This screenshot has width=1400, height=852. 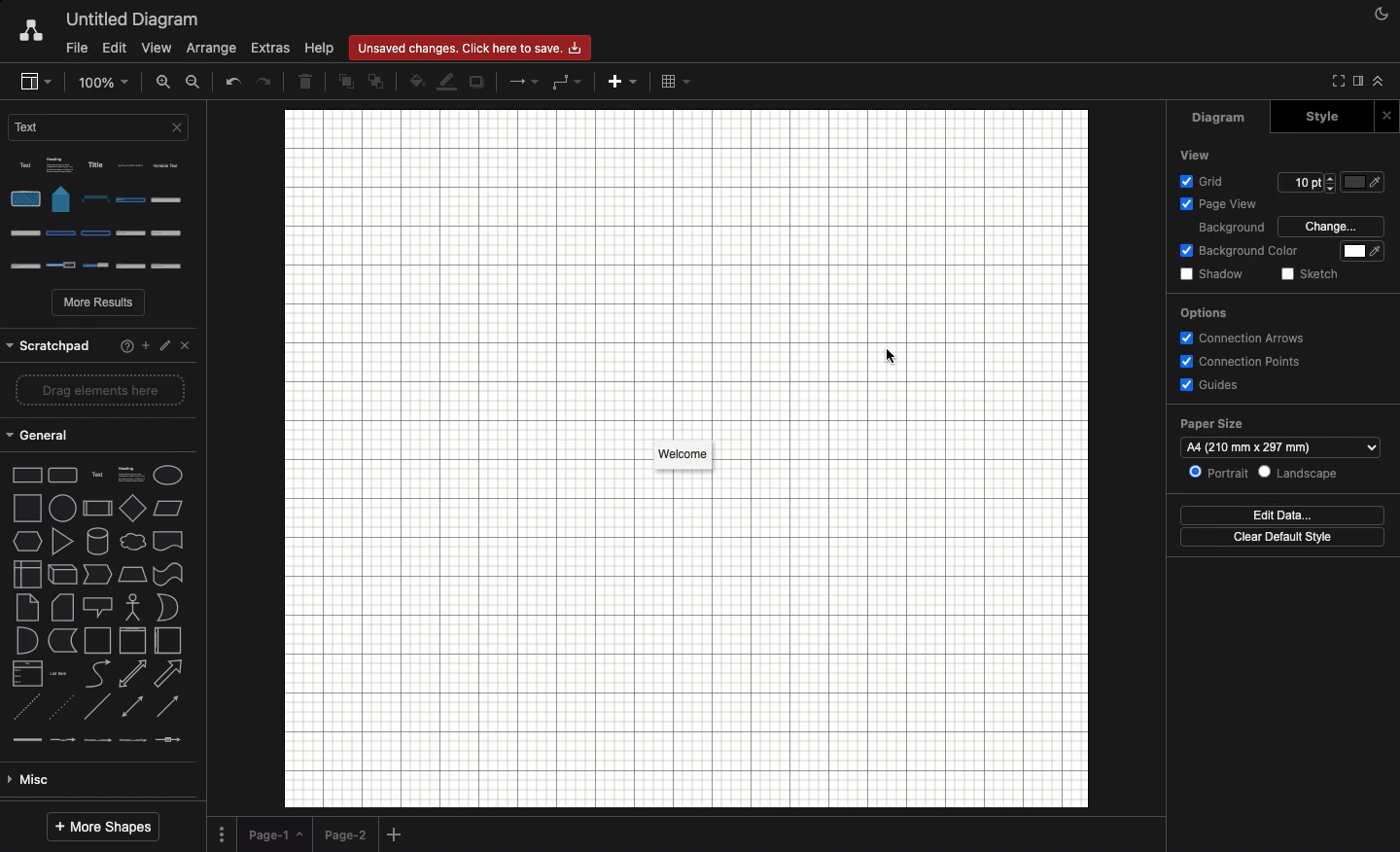 What do you see at coordinates (97, 340) in the screenshot?
I see `` at bounding box center [97, 340].